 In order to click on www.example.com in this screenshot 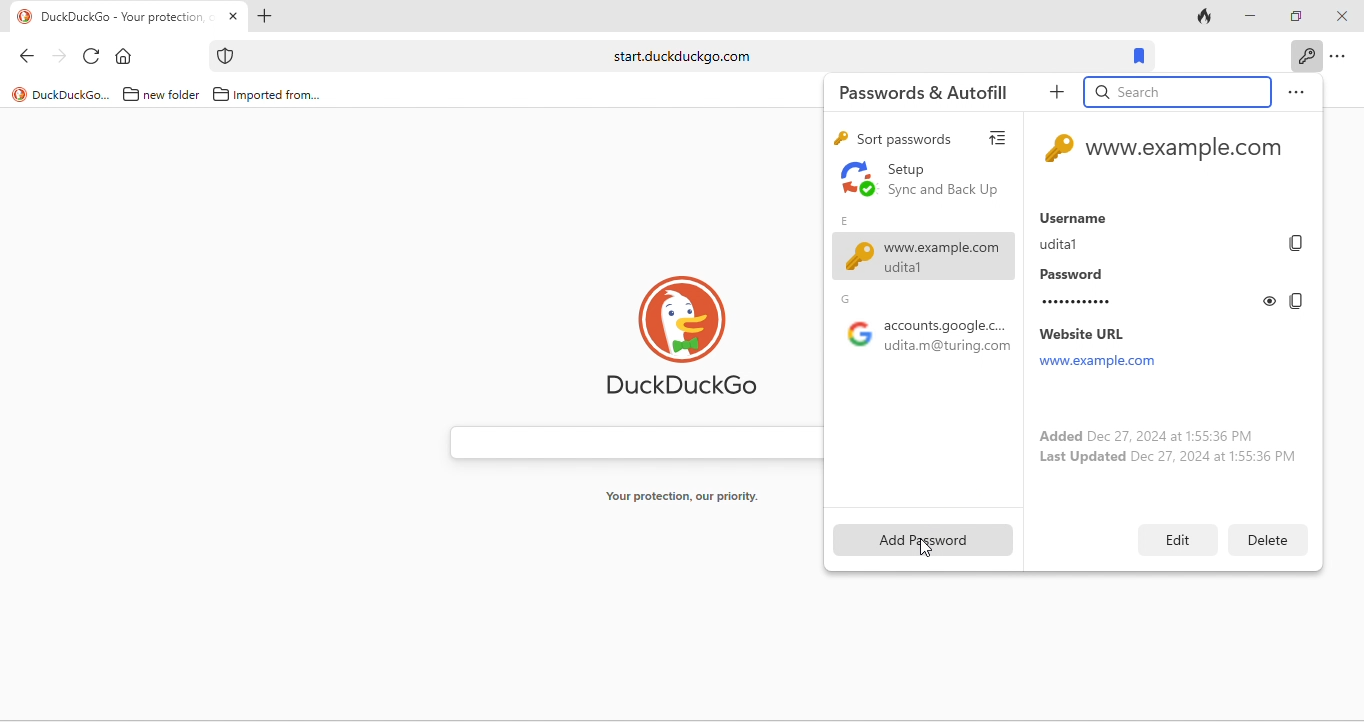, I will do `click(925, 256)`.